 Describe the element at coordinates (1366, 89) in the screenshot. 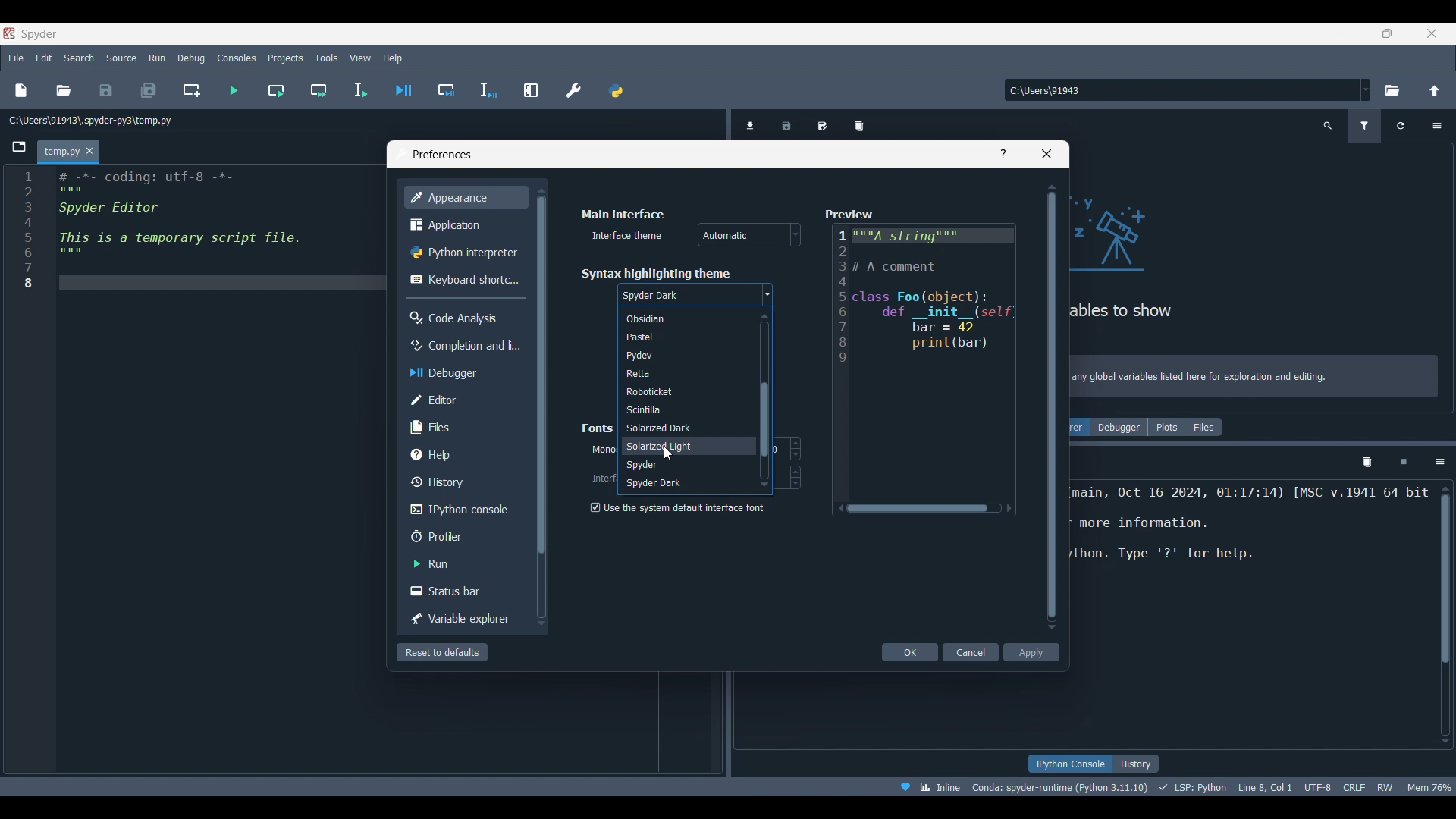

I see `Folder location options ` at that location.